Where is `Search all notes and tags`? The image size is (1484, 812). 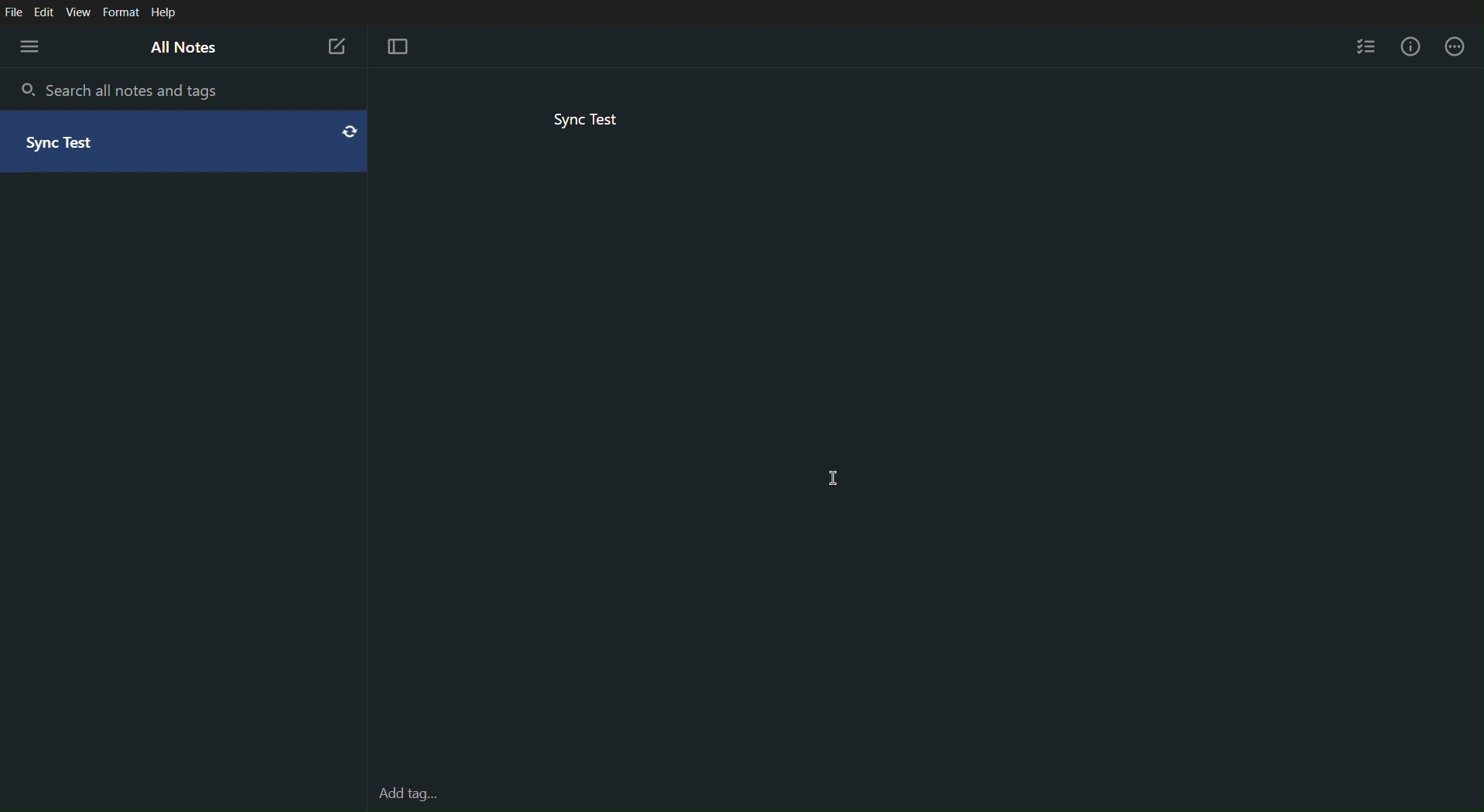 Search all notes and tags is located at coordinates (128, 89).